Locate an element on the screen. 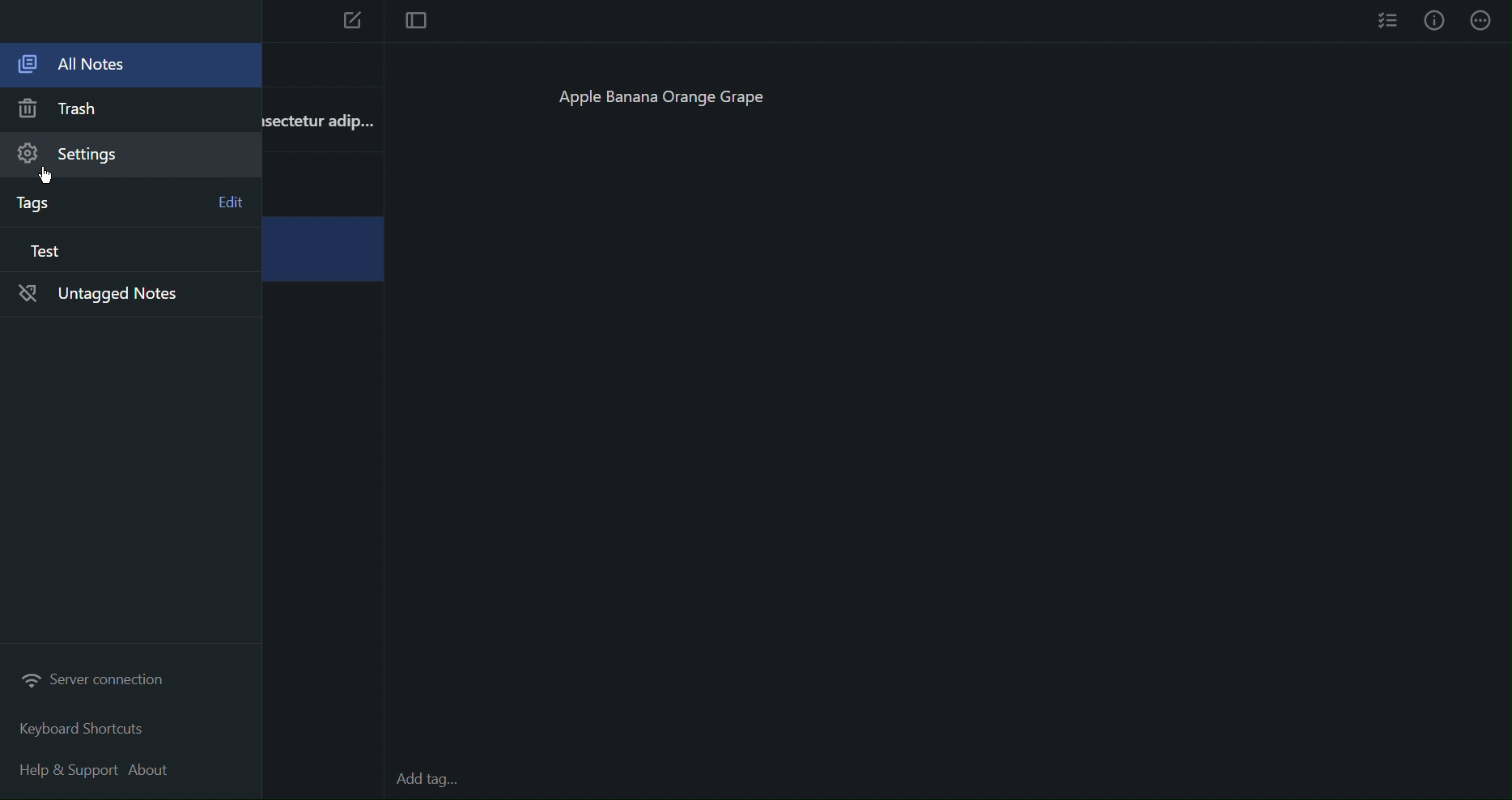 The height and width of the screenshot is (800, 1512). Server connection is located at coordinates (99, 682).